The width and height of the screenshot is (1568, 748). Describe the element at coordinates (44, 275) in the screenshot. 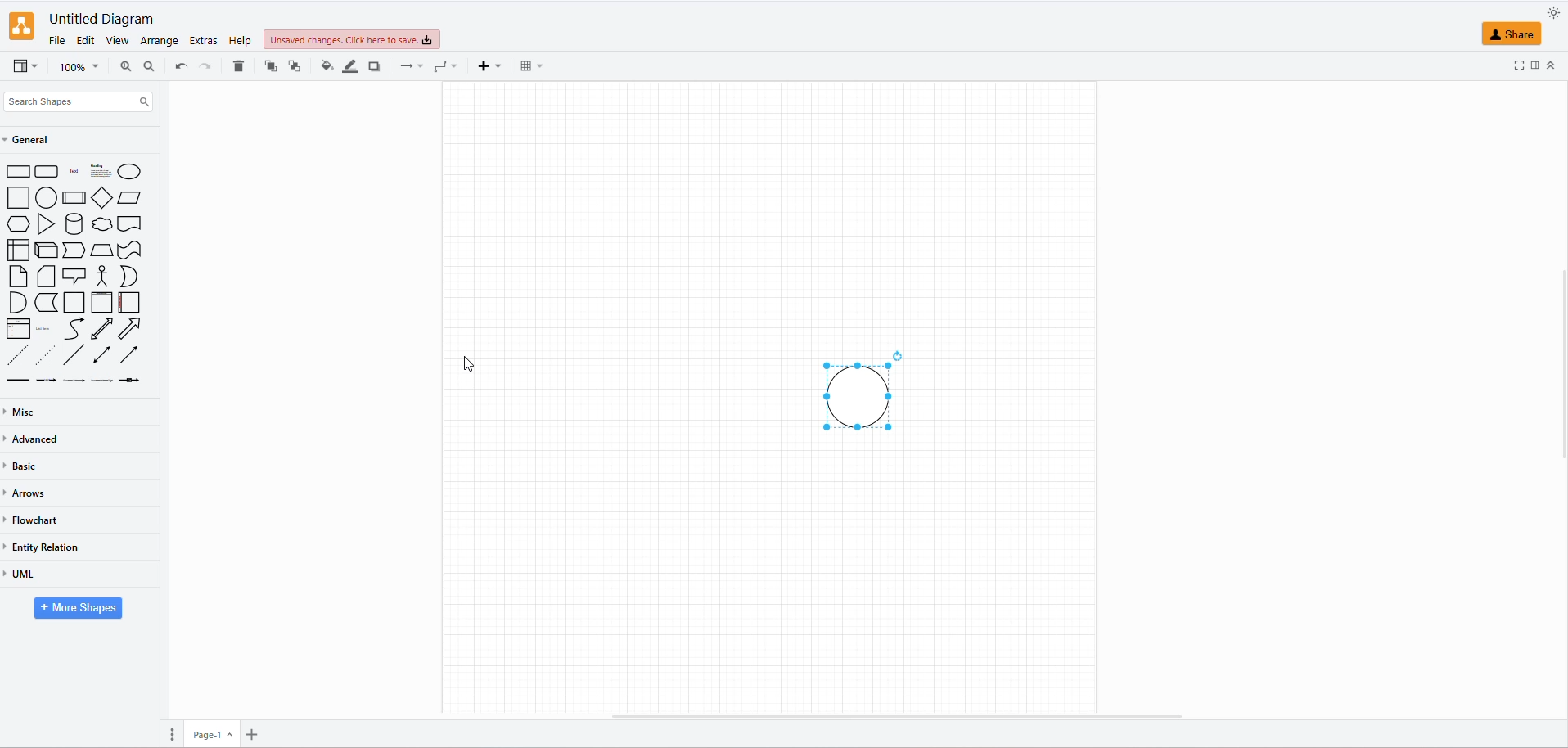

I see `CARD` at that location.